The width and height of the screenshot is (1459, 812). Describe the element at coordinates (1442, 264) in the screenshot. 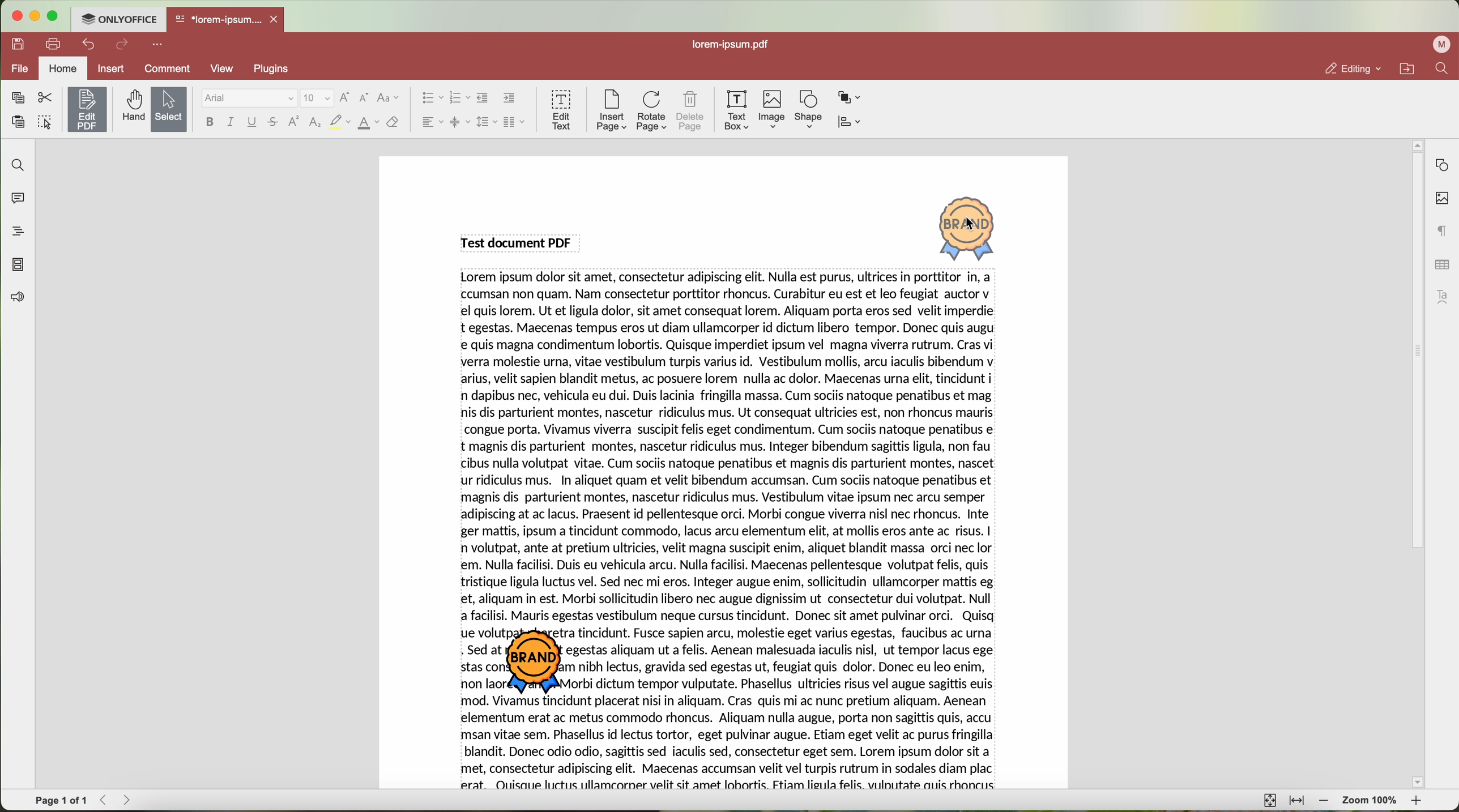

I see `table settings` at that location.